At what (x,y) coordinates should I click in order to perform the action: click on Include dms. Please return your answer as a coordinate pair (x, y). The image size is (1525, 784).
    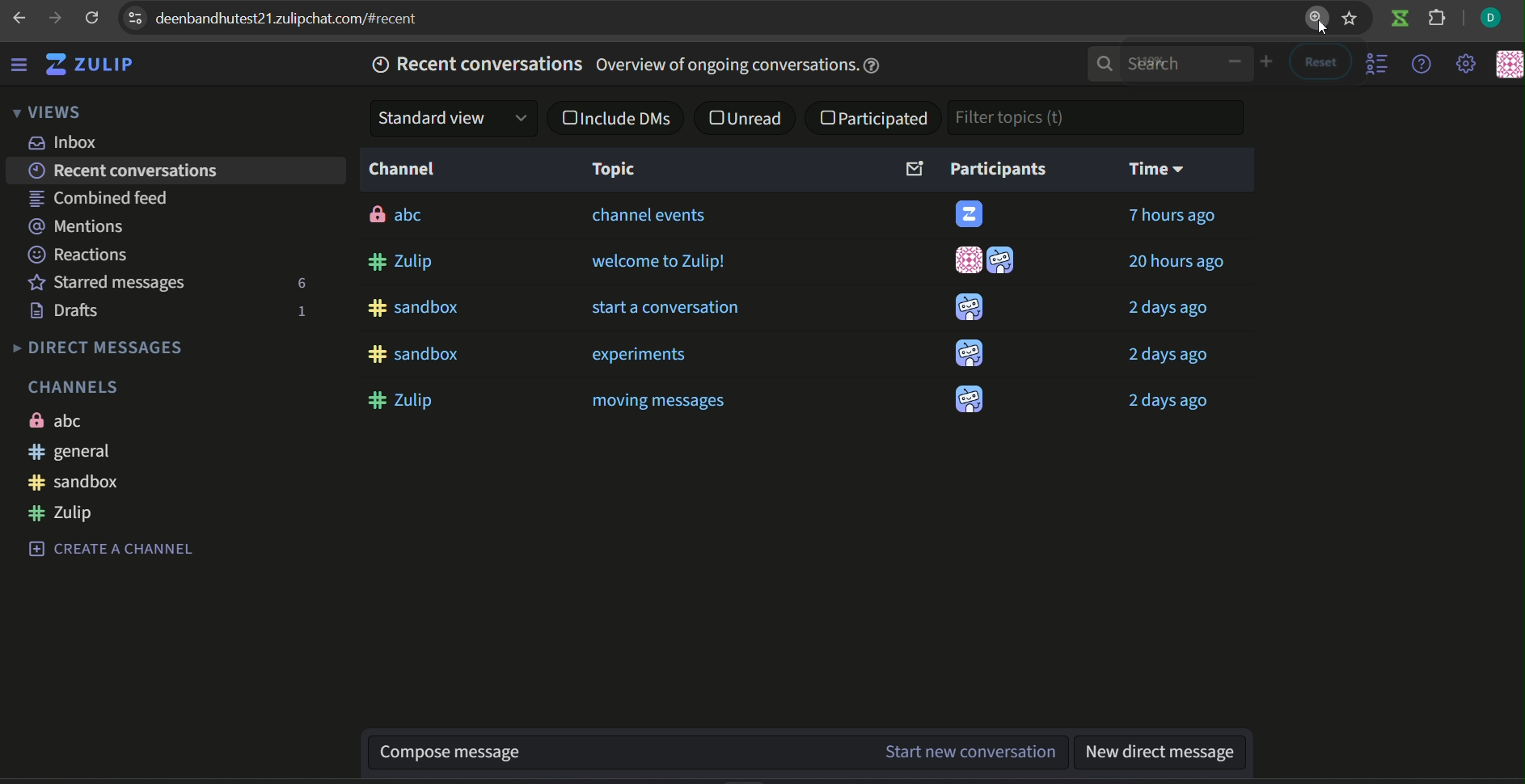
    Looking at the image, I should click on (620, 120).